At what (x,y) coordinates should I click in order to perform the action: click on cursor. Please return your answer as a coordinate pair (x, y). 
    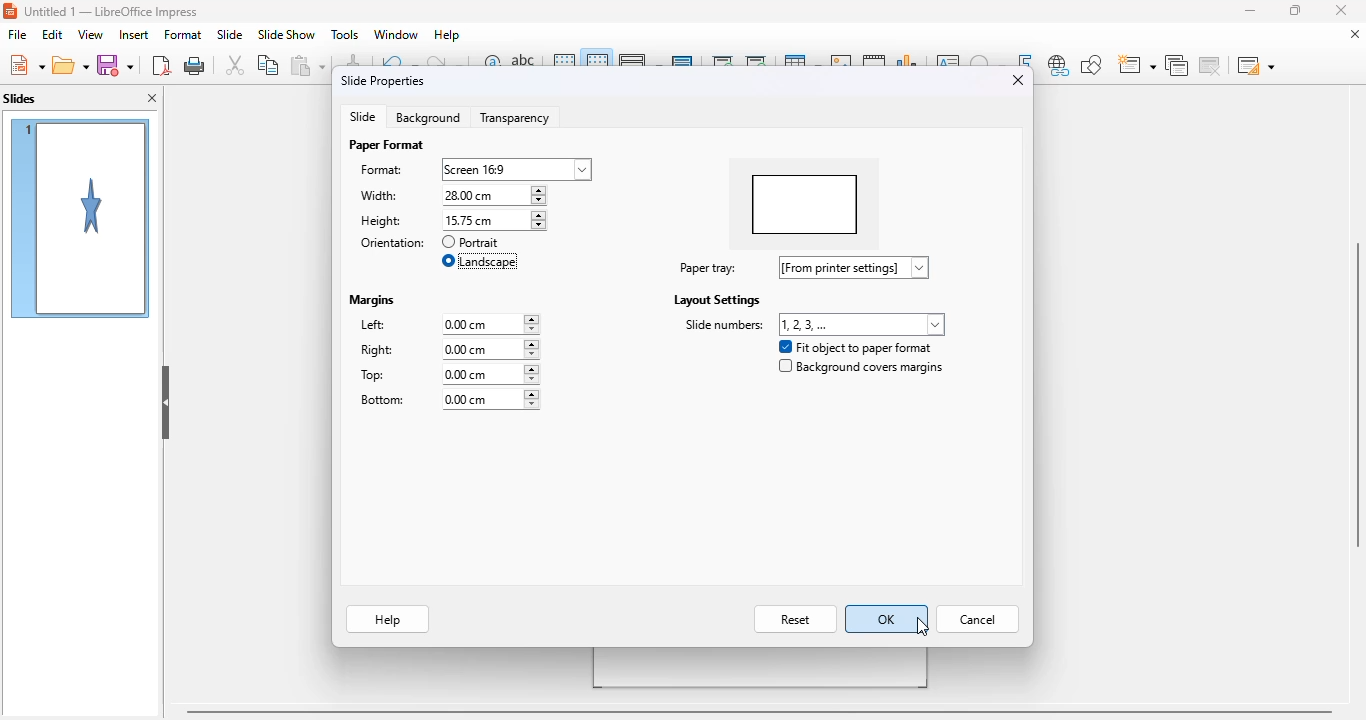
    Looking at the image, I should click on (120, 287).